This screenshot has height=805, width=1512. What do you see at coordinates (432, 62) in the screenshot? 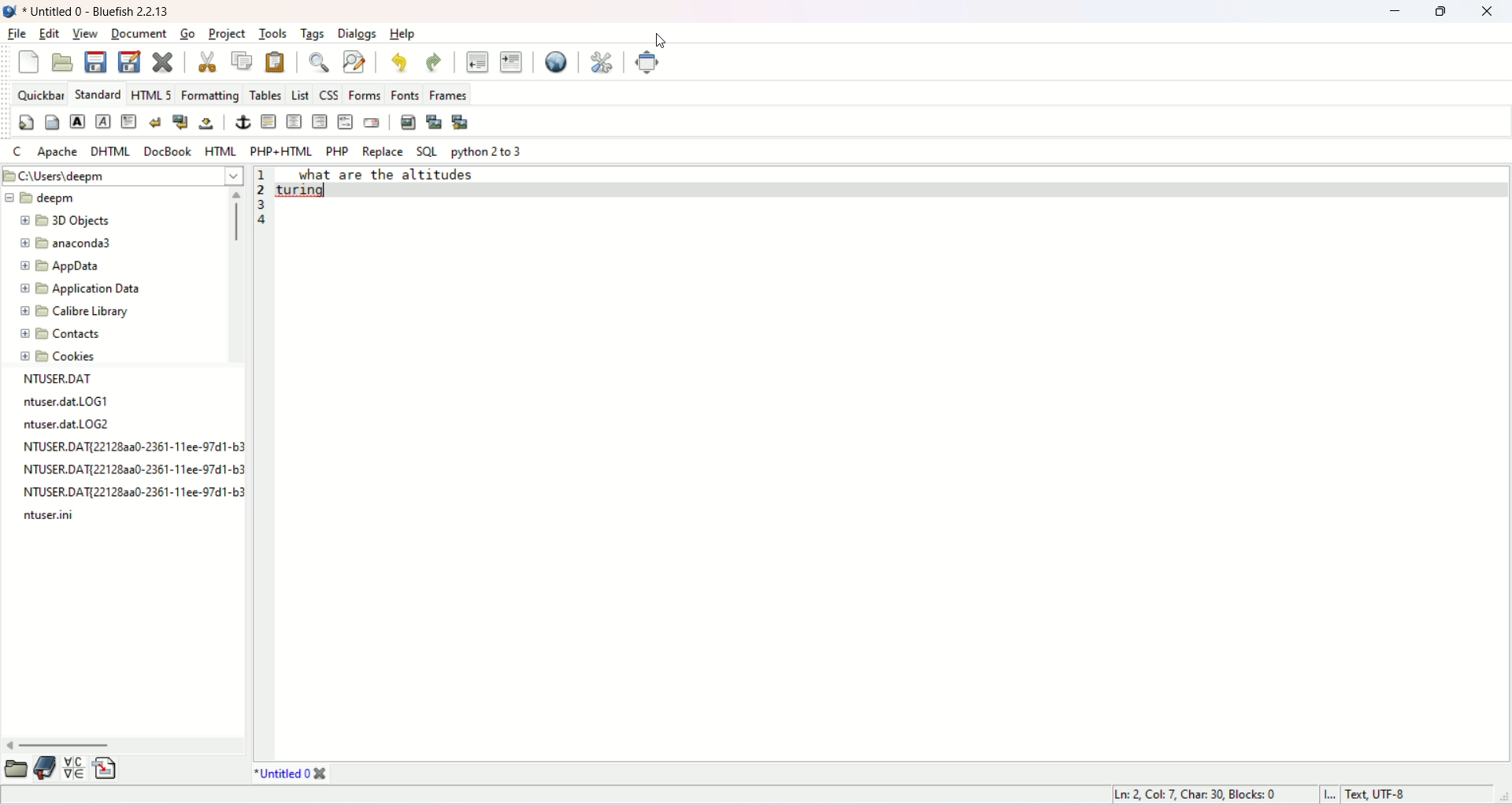
I see `redo` at bounding box center [432, 62].